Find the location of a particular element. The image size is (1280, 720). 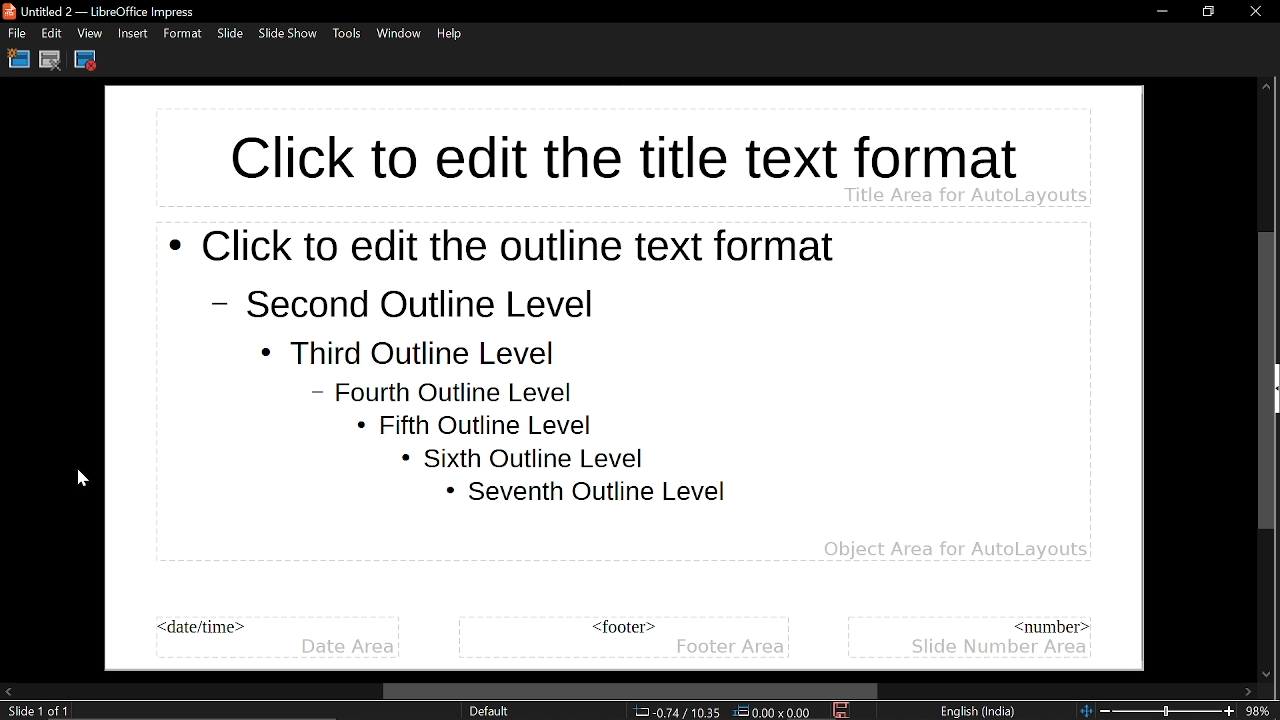

Change zoom is located at coordinates (1159, 712).